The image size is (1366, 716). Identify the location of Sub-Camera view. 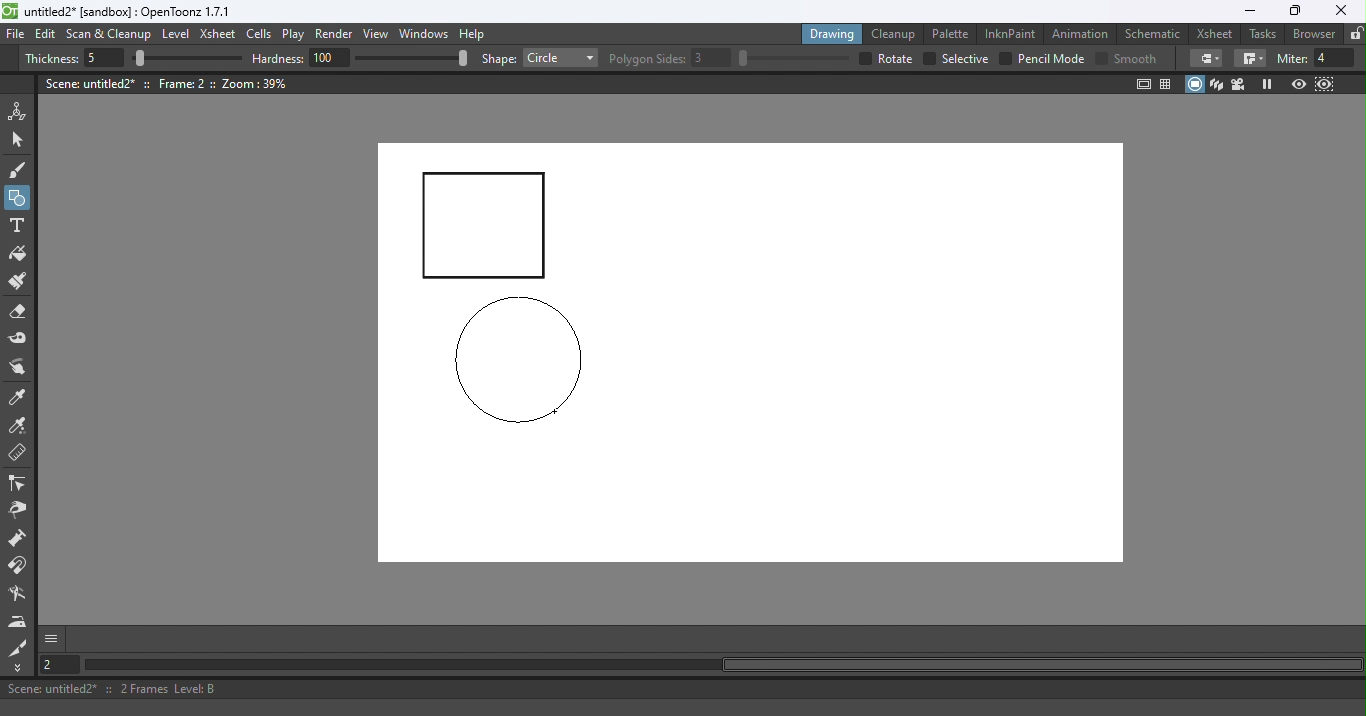
(1326, 84).